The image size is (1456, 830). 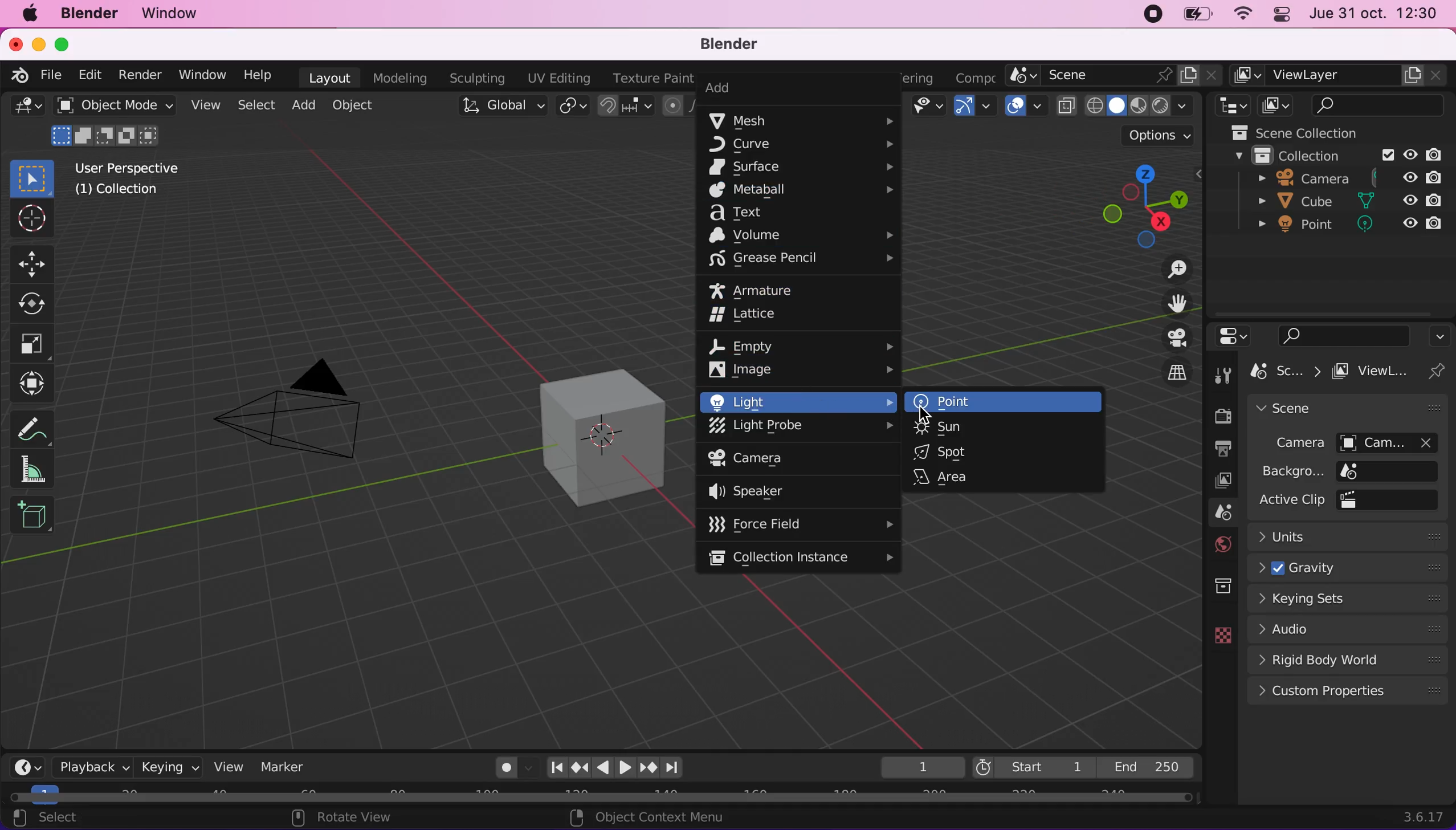 What do you see at coordinates (206, 75) in the screenshot?
I see `window` at bounding box center [206, 75].